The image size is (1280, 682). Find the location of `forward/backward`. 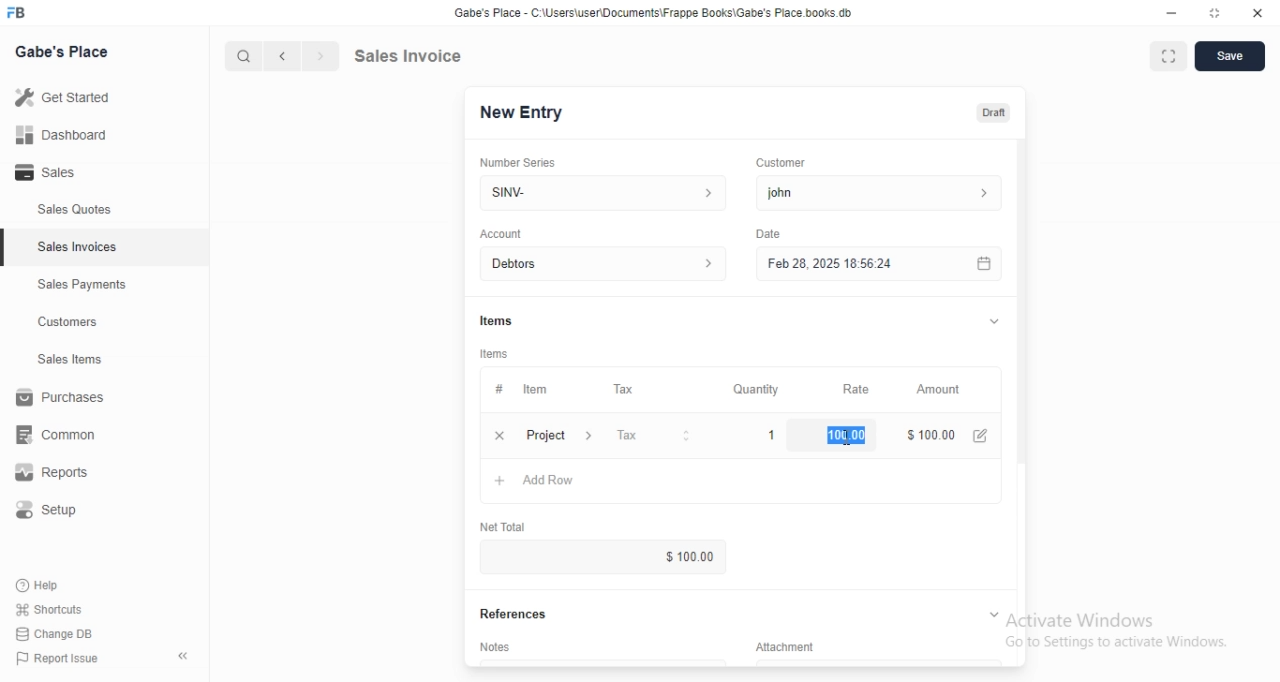

forward/backward is located at coordinates (300, 56).